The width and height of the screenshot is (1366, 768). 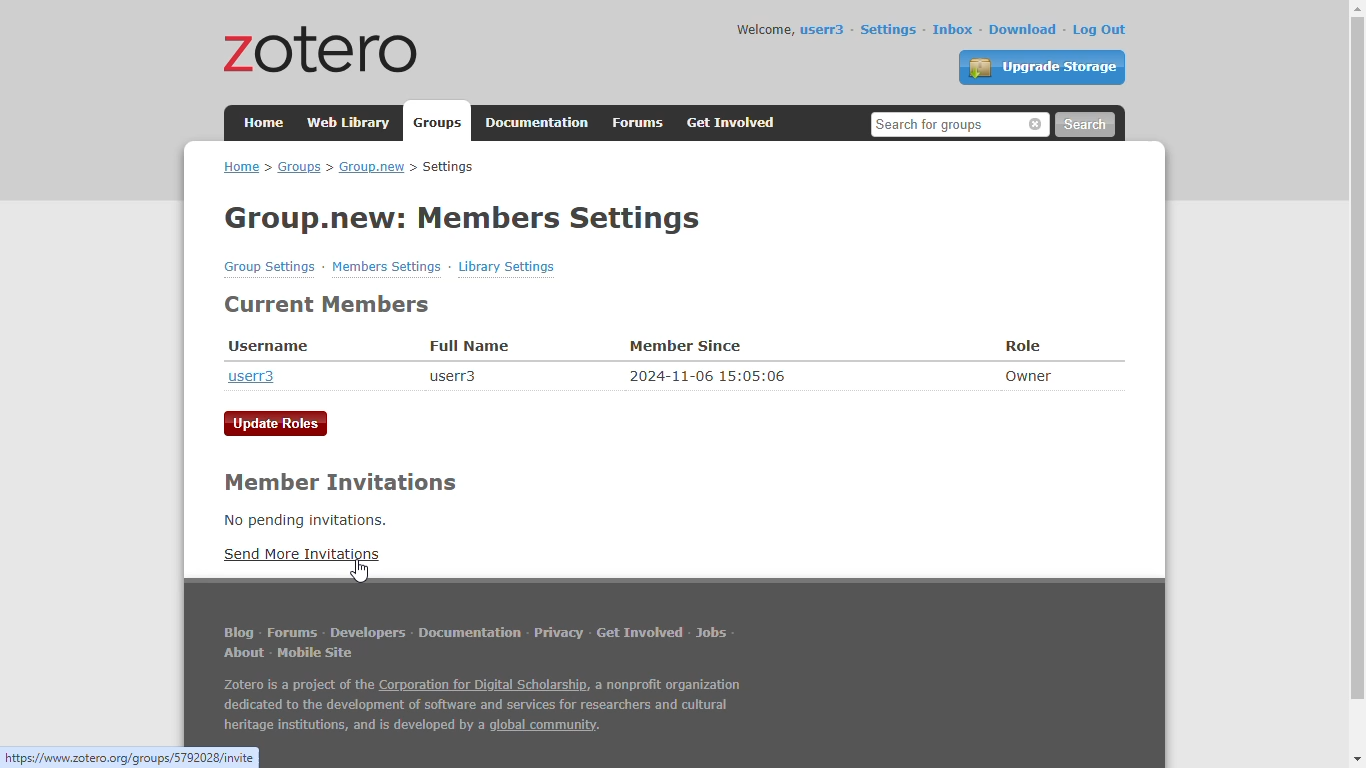 What do you see at coordinates (507, 266) in the screenshot?
I see `library settings` at bounding box center [507, 266].